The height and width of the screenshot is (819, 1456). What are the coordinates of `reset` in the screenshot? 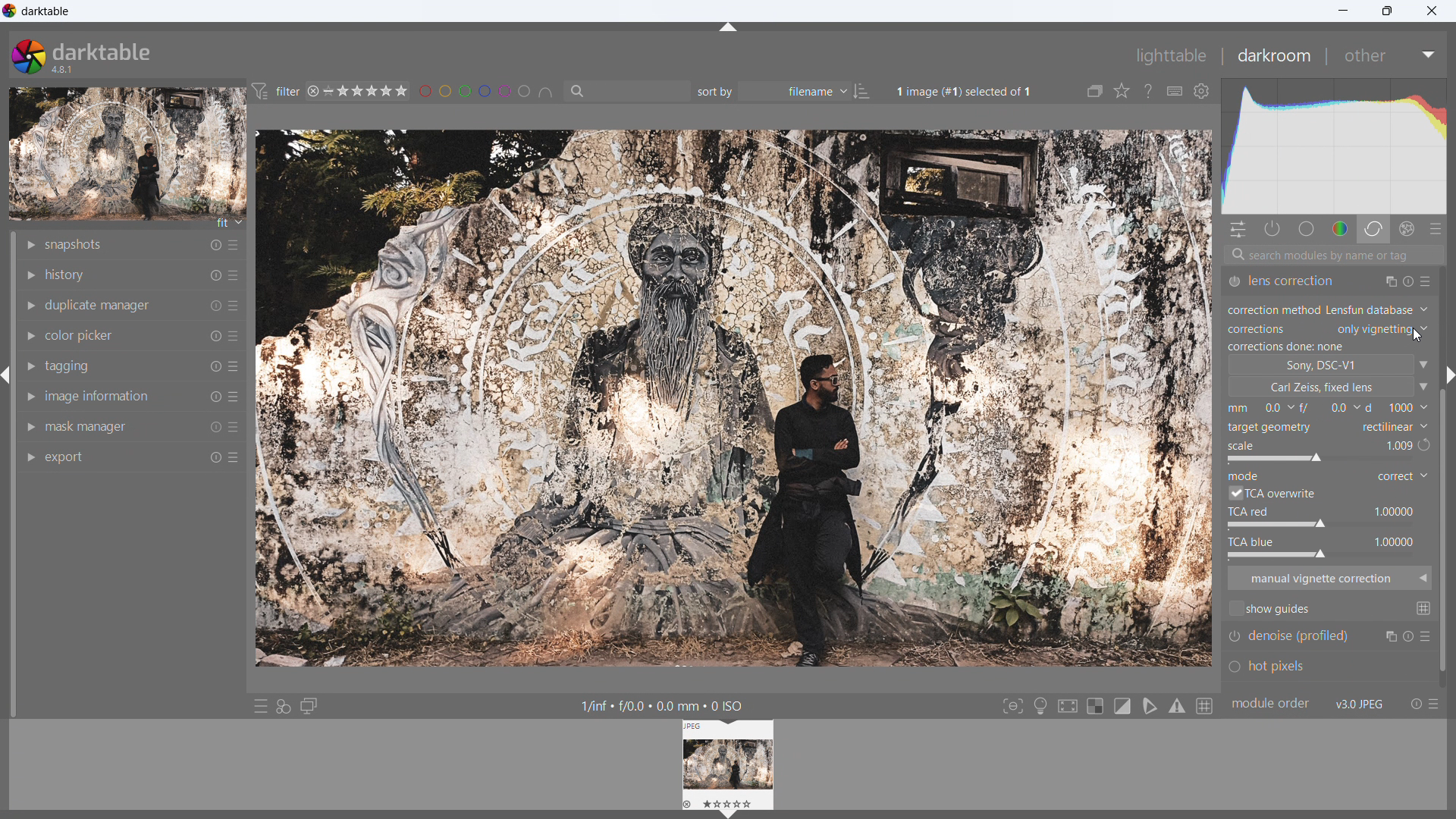 It's located at (214, 308).